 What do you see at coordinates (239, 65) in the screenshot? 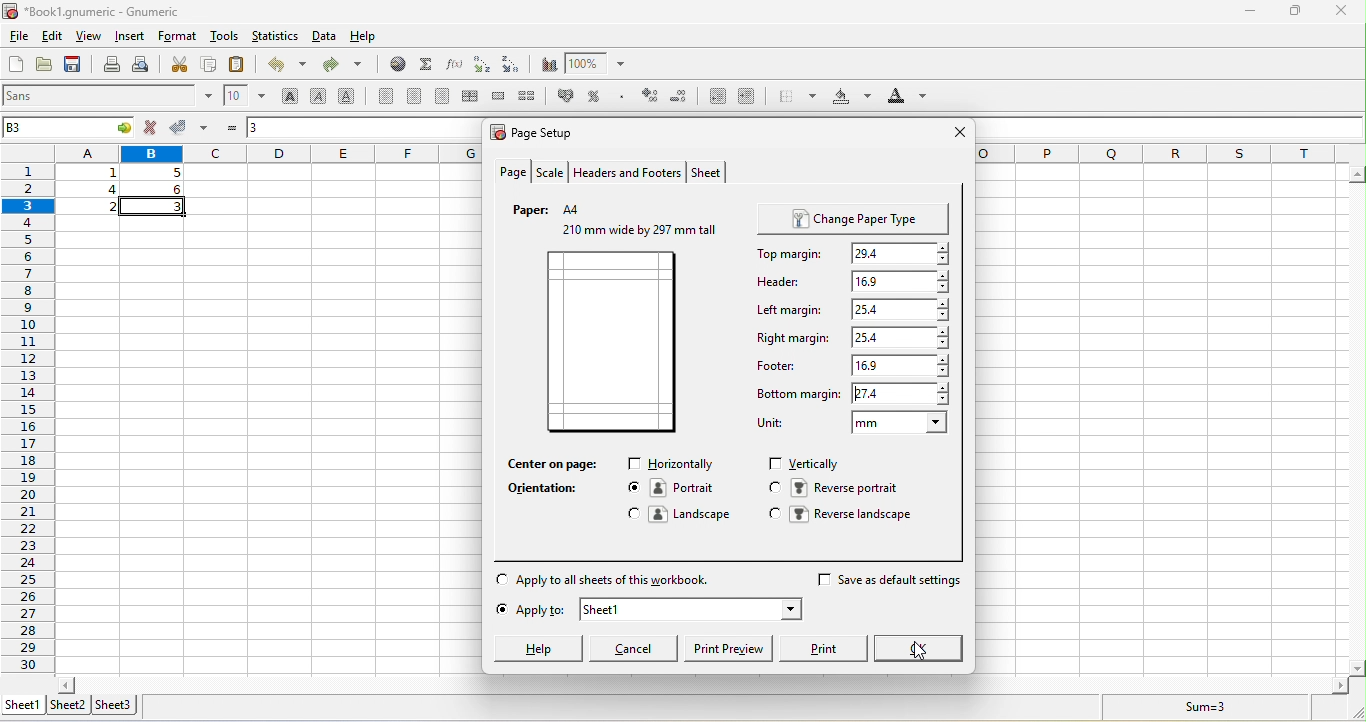
I see `paste` at bounding box center [239, 65].